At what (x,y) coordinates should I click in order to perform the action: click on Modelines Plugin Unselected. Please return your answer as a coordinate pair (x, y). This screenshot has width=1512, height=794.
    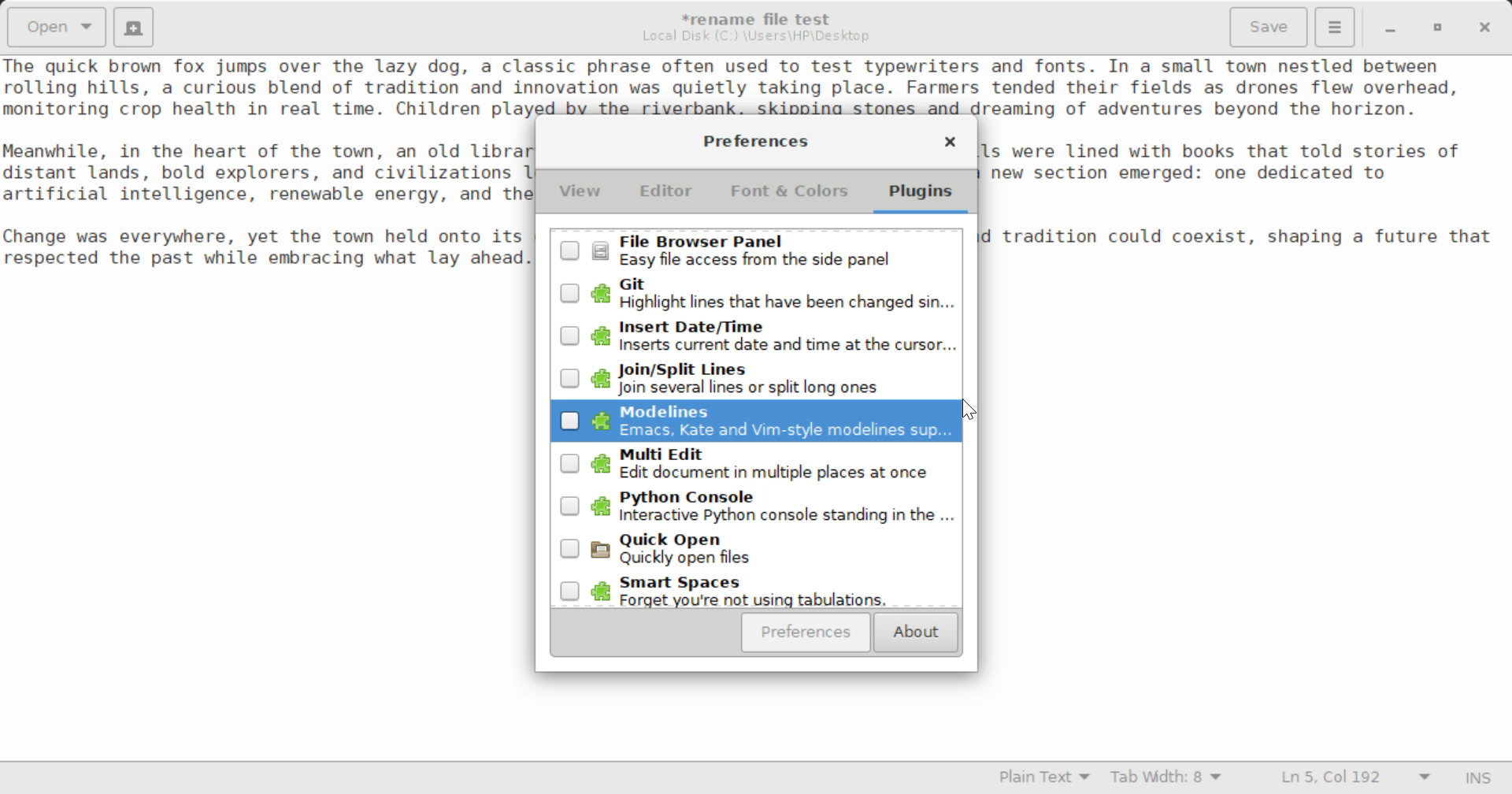
    Looking at the image, I should click on (751, 422).